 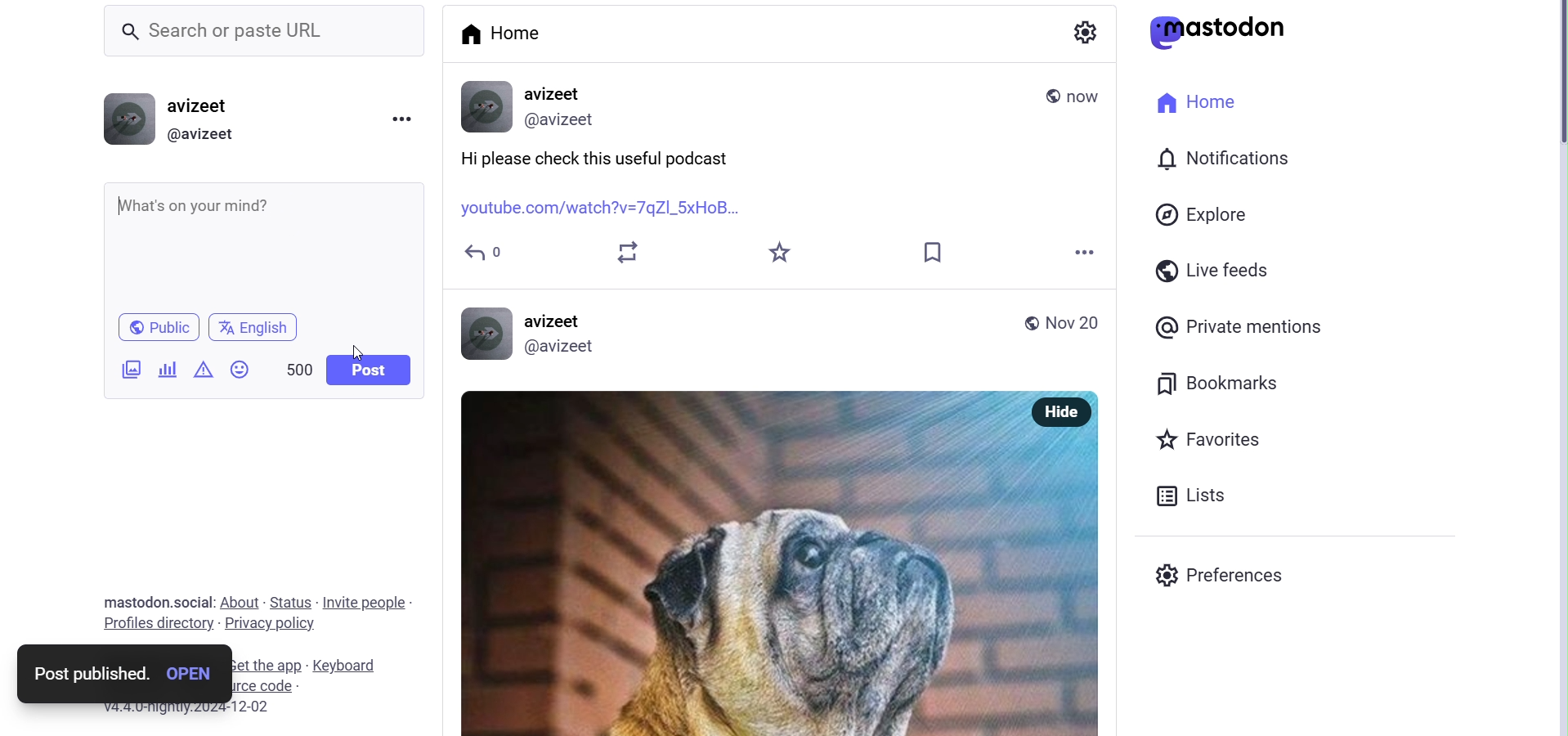 What do you see at coordinates (557, 347) in the screenshot?
I see `@avizeet` at bounding box center [557, 347].